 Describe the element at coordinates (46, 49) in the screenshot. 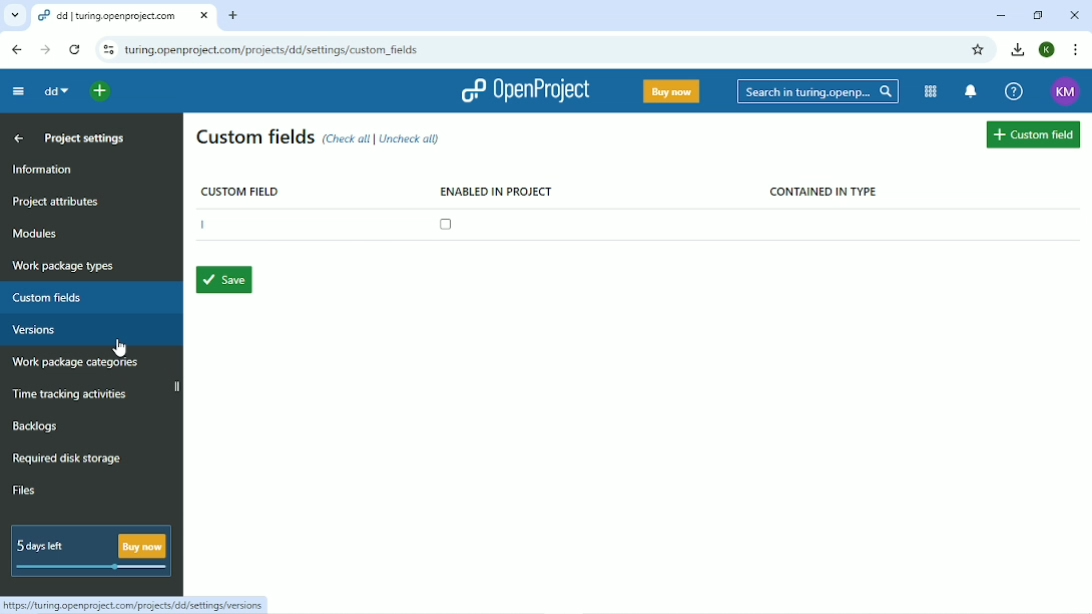

I see `Forward` at that location.